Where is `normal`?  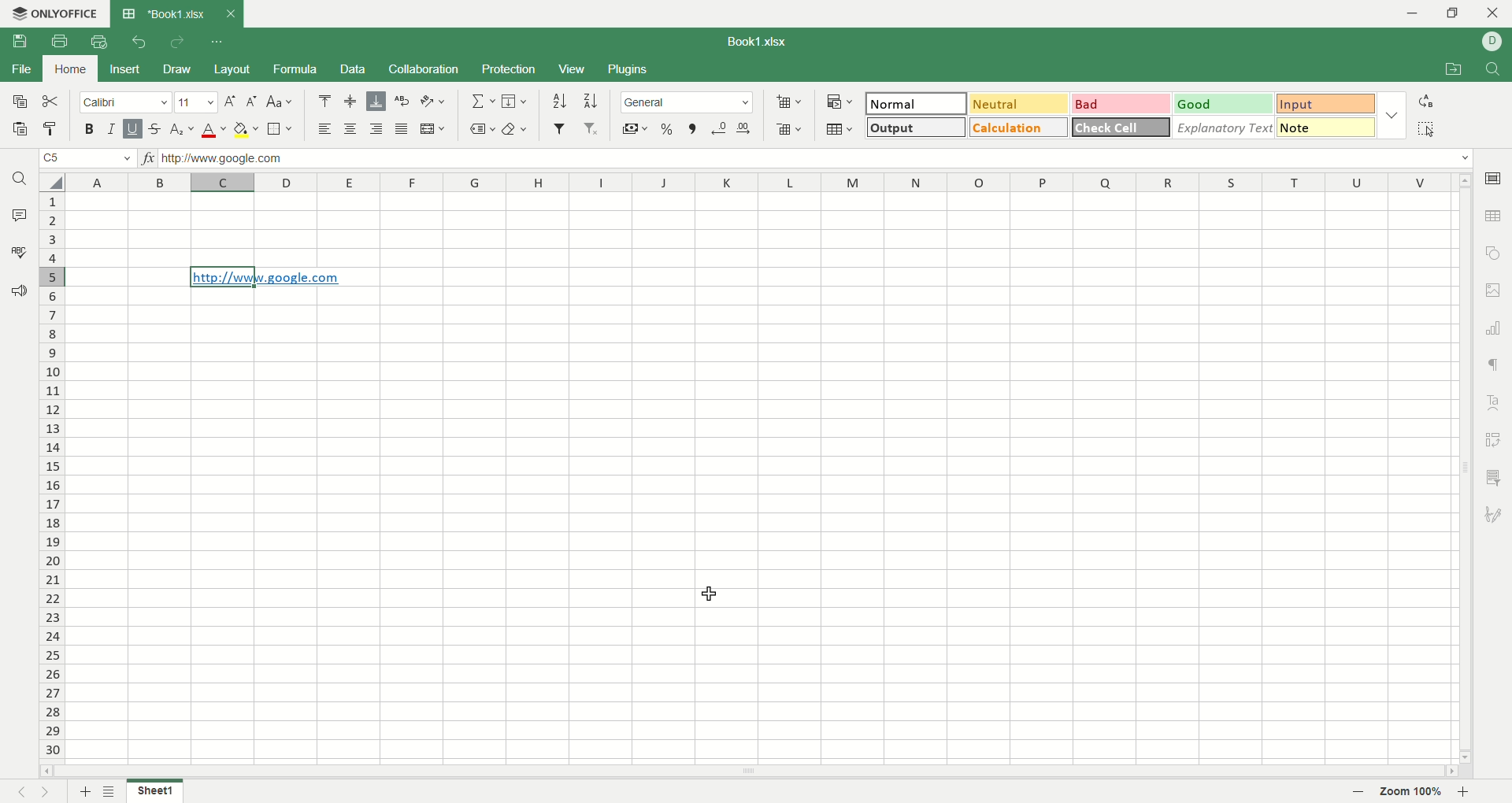
normal is located at coordinates (917, 103).